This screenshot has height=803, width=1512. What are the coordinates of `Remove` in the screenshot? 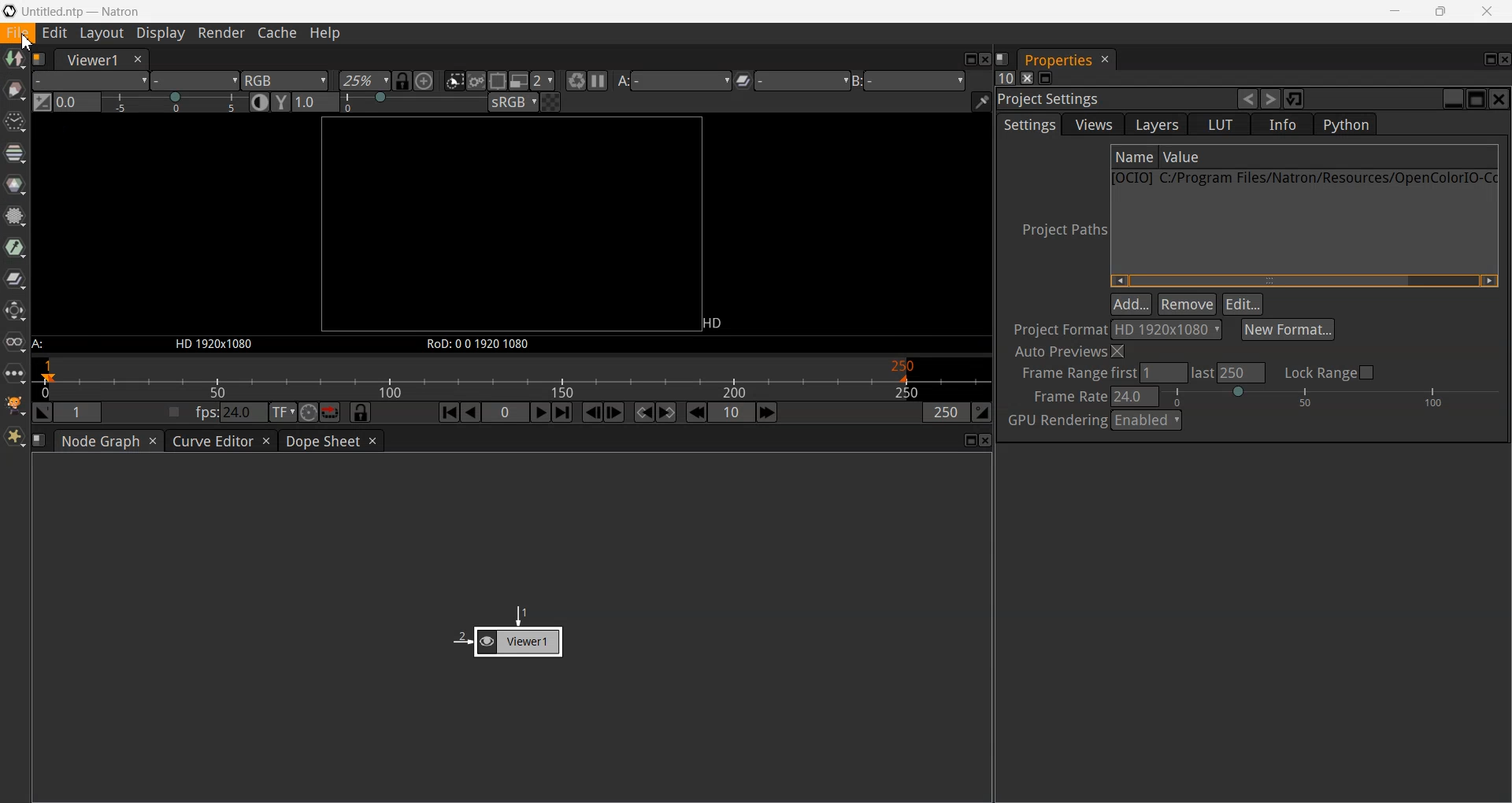 It's located at (1186, 303).